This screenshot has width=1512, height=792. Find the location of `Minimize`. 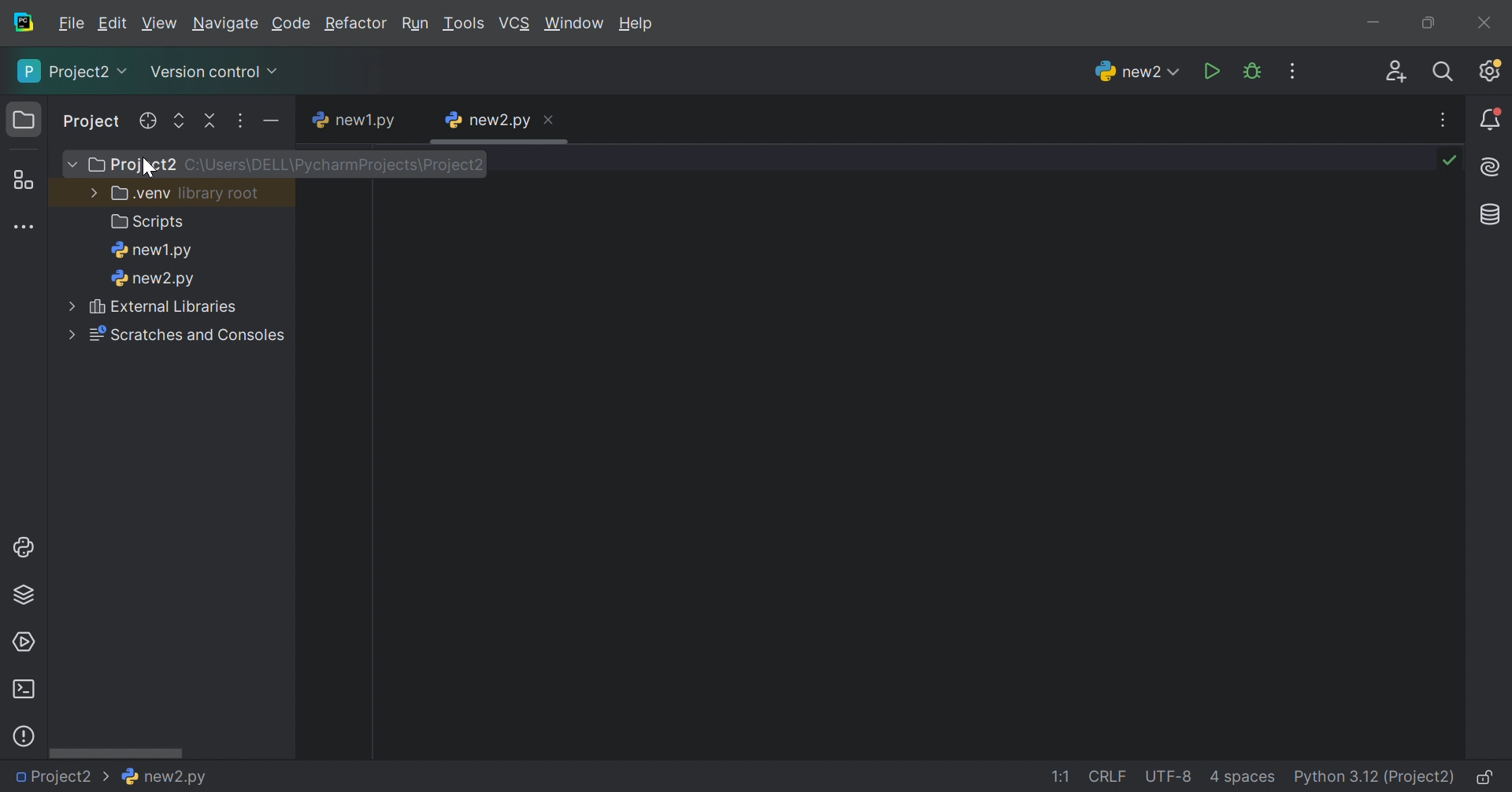

Minimize is located at coordinates (1377, 23).